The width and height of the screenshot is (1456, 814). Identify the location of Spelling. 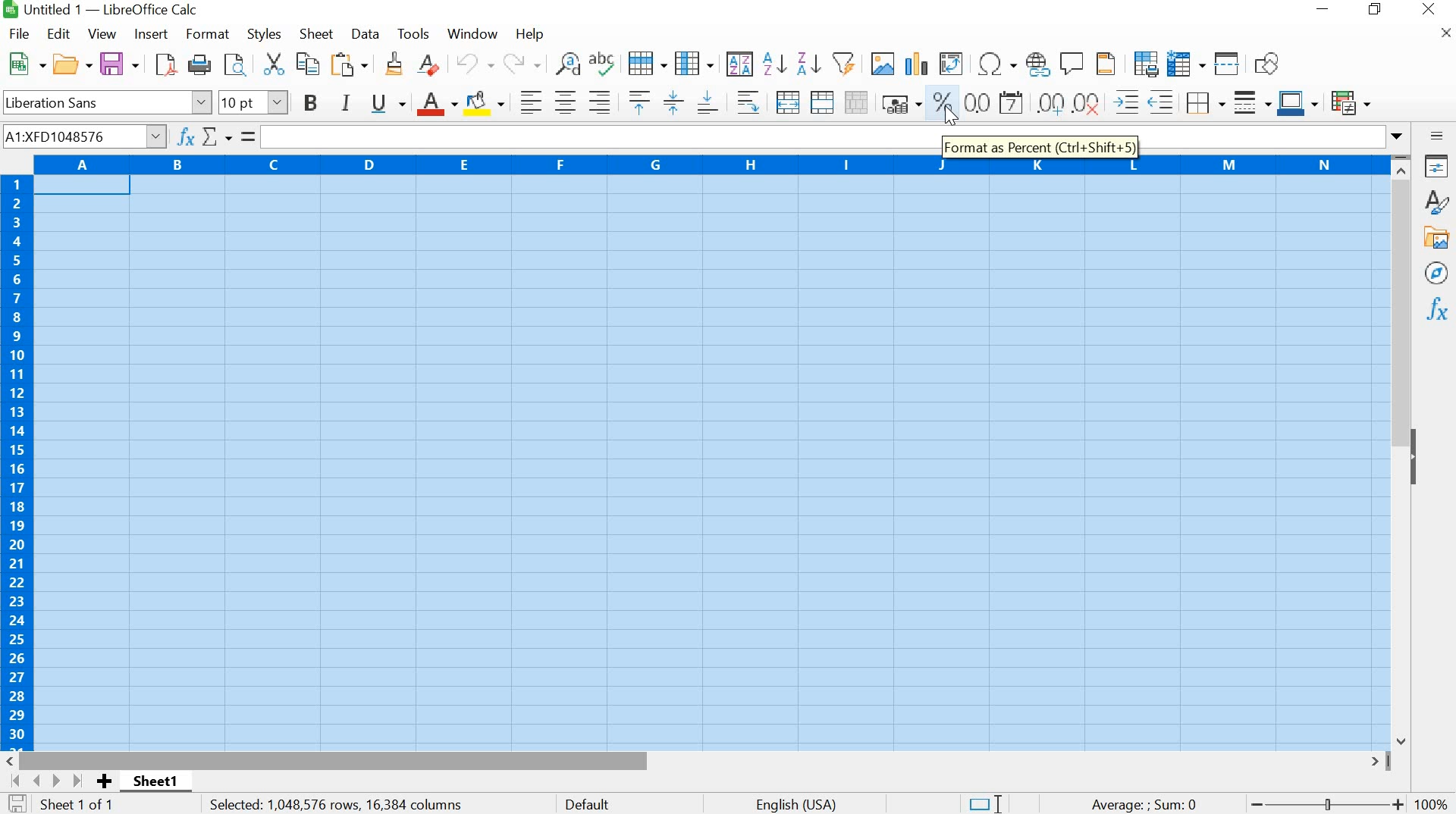
(601, 64).